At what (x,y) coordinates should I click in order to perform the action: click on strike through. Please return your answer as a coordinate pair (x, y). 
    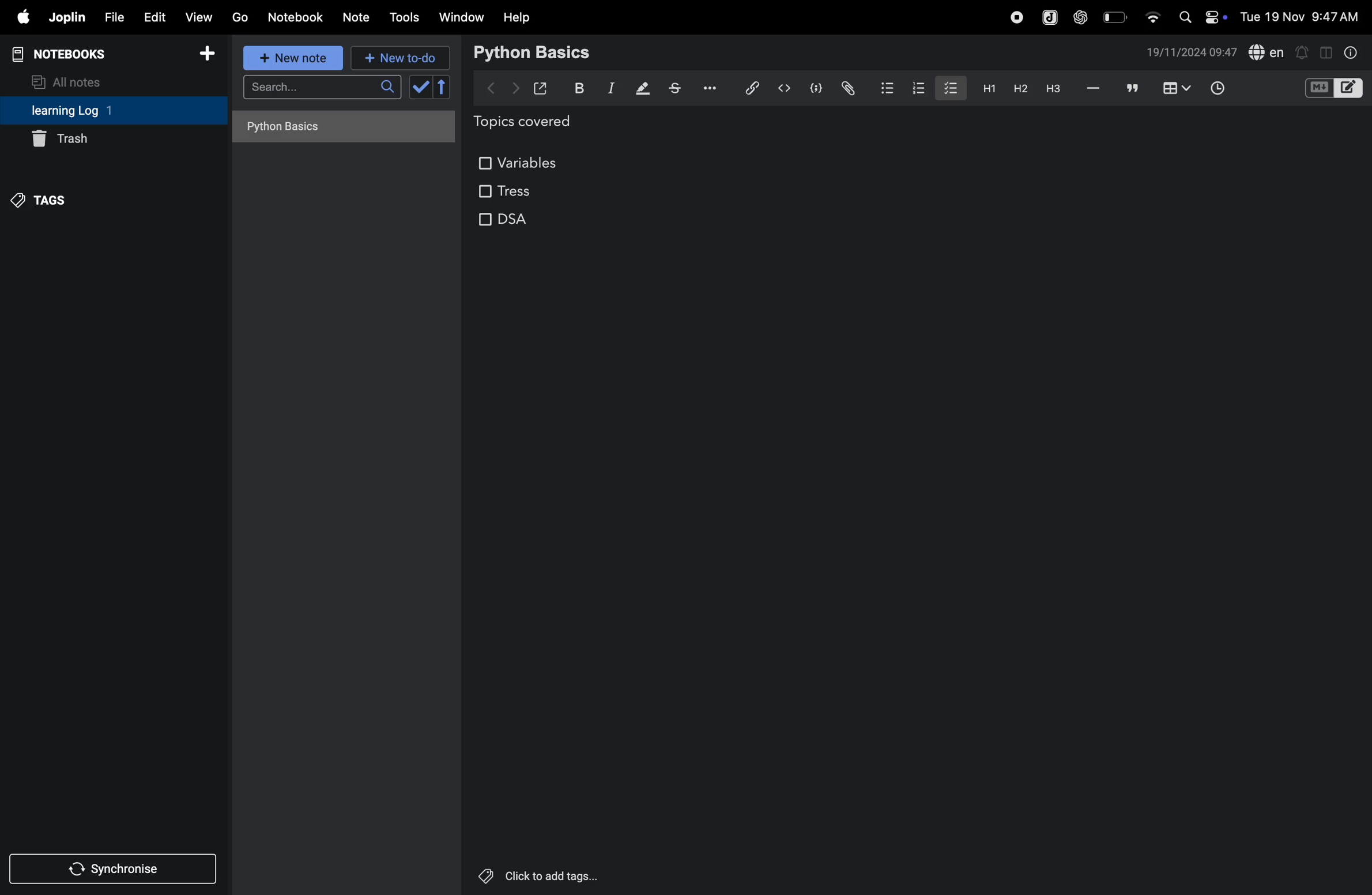
    Looking at the image, I should click on (675, 88).